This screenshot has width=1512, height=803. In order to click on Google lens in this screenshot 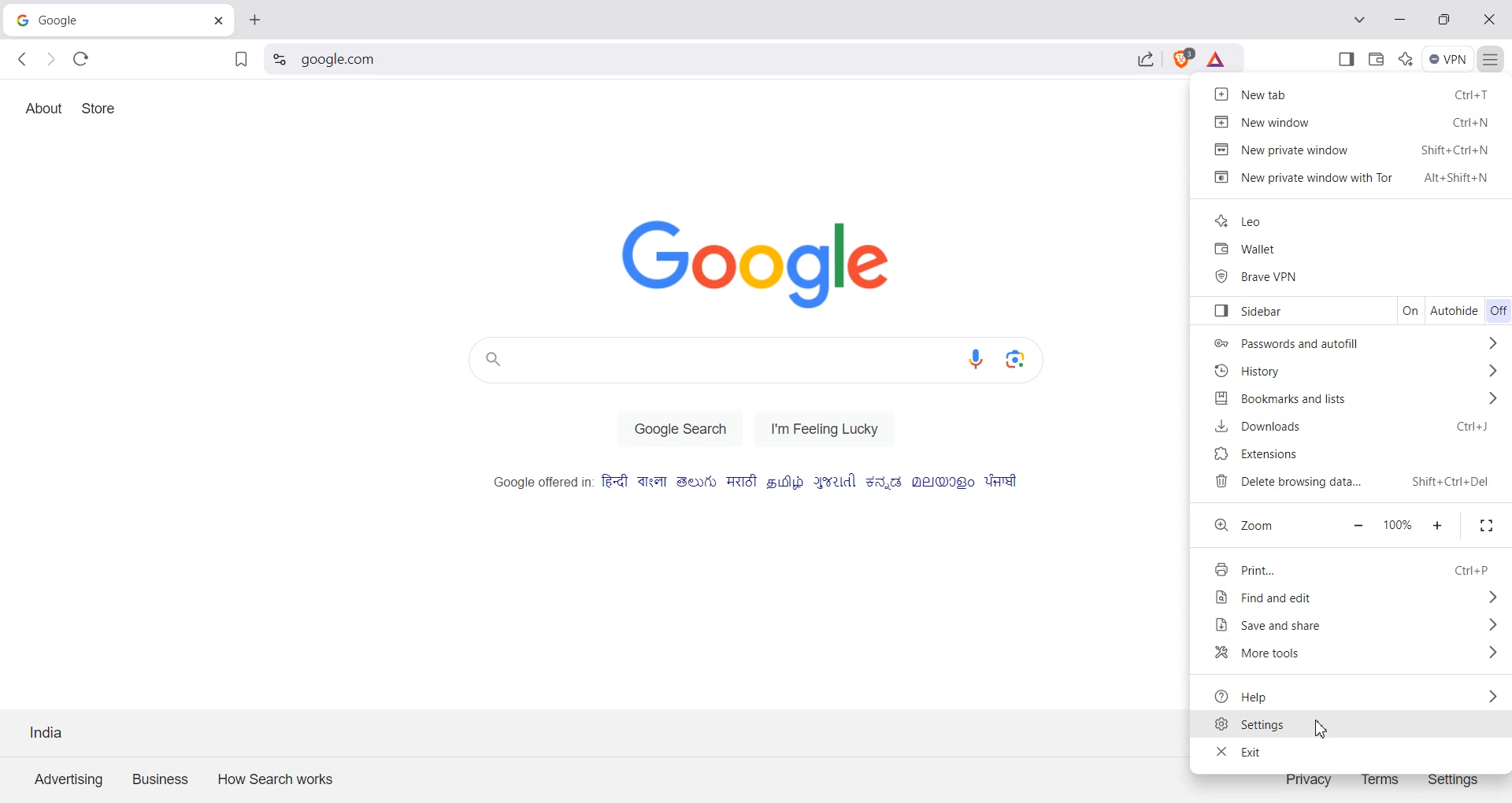, I will do `click(1026, 358)`.